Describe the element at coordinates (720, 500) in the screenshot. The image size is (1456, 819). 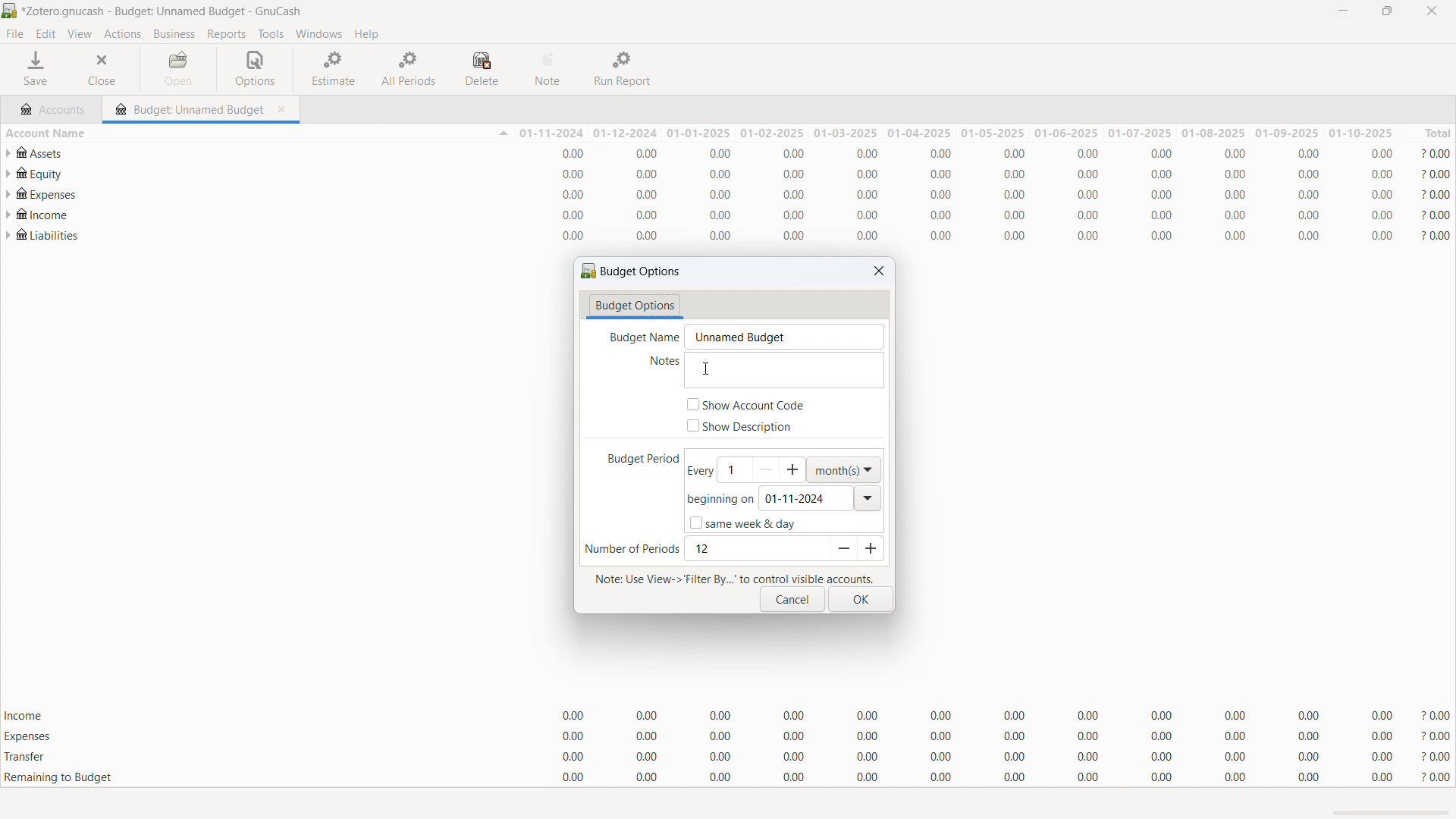
I see `beginning on` at that location.